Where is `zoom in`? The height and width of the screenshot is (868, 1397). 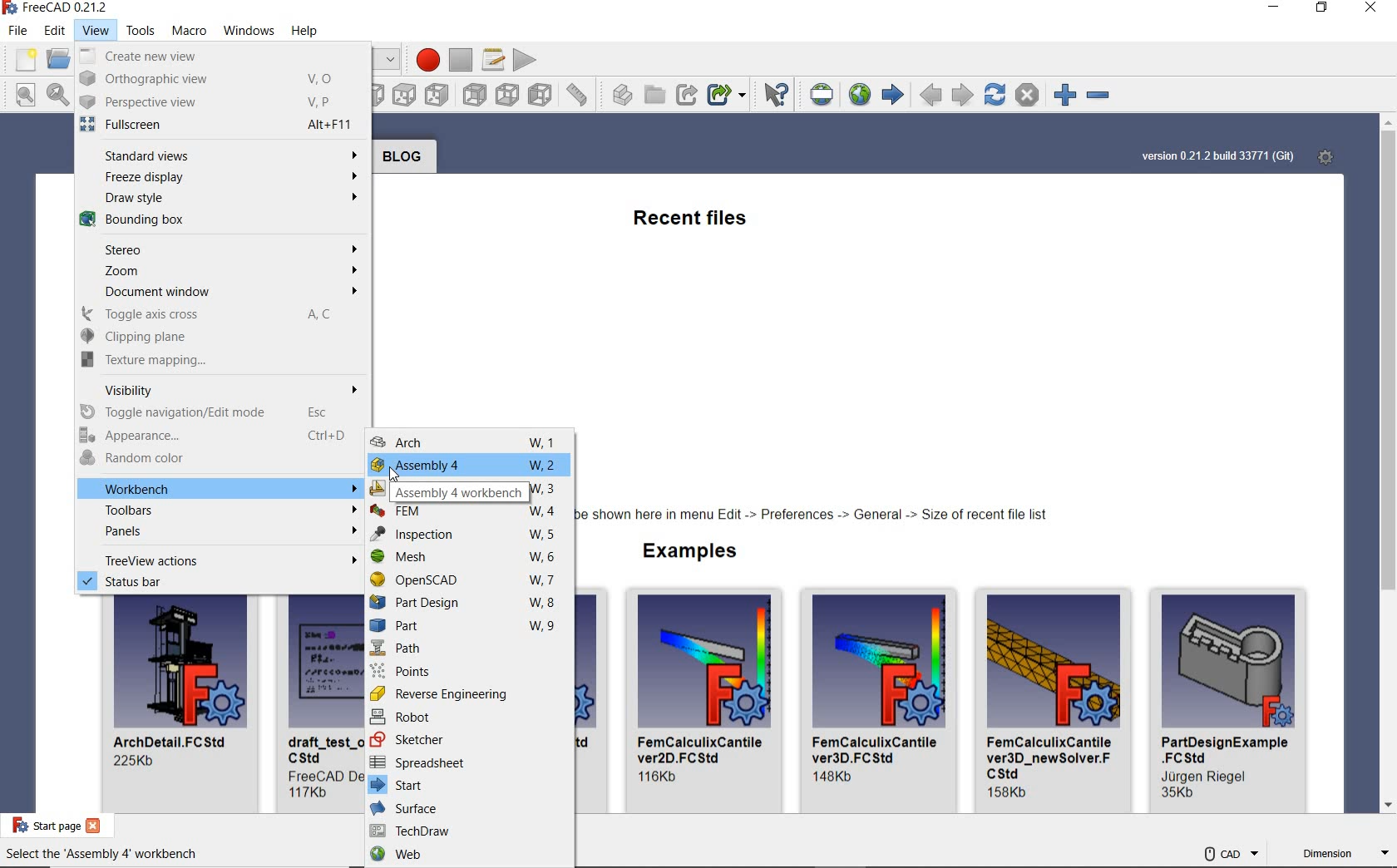
zoom in is located at coordinates (1067, 95).